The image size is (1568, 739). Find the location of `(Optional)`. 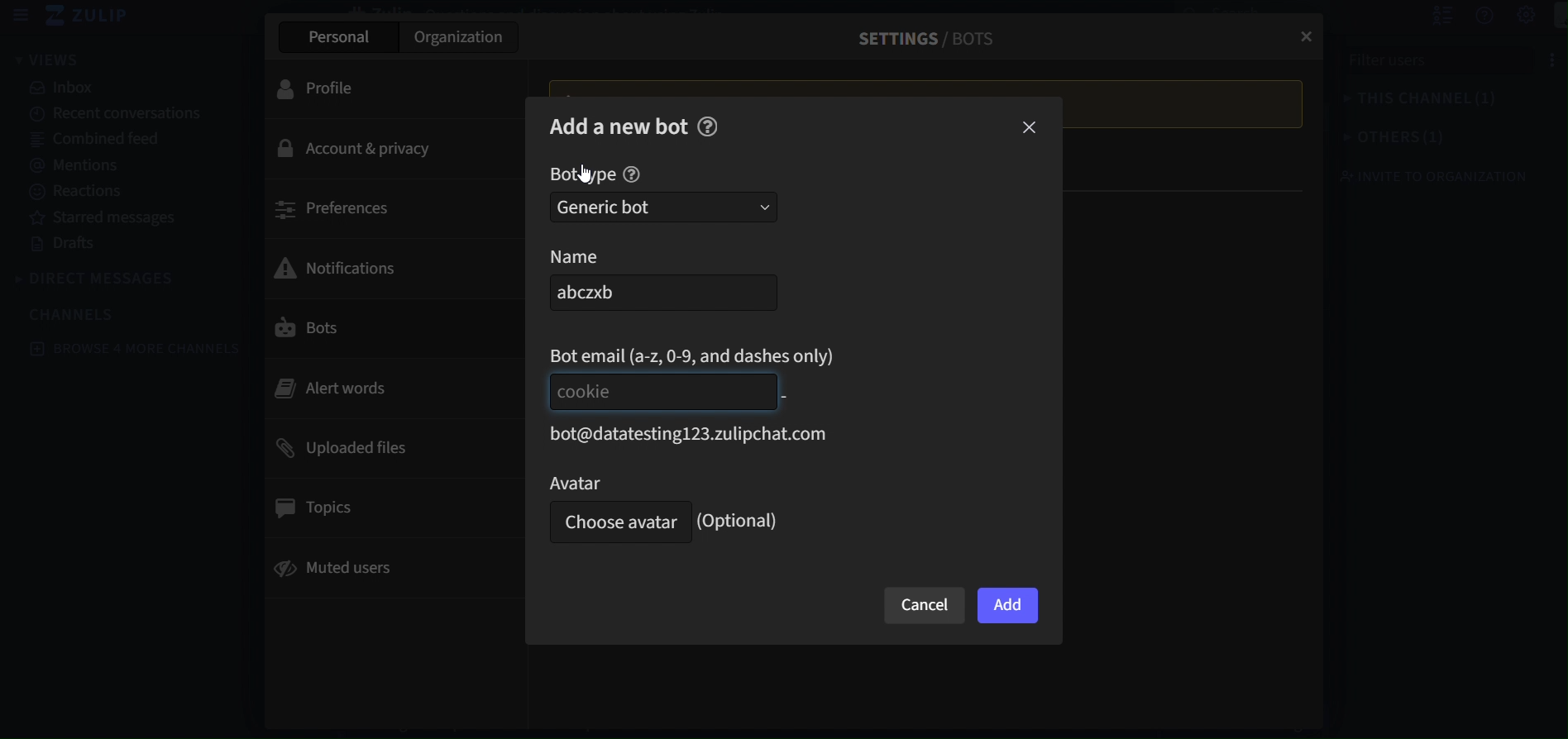

(Optional) is located at coordinates (742, 521).